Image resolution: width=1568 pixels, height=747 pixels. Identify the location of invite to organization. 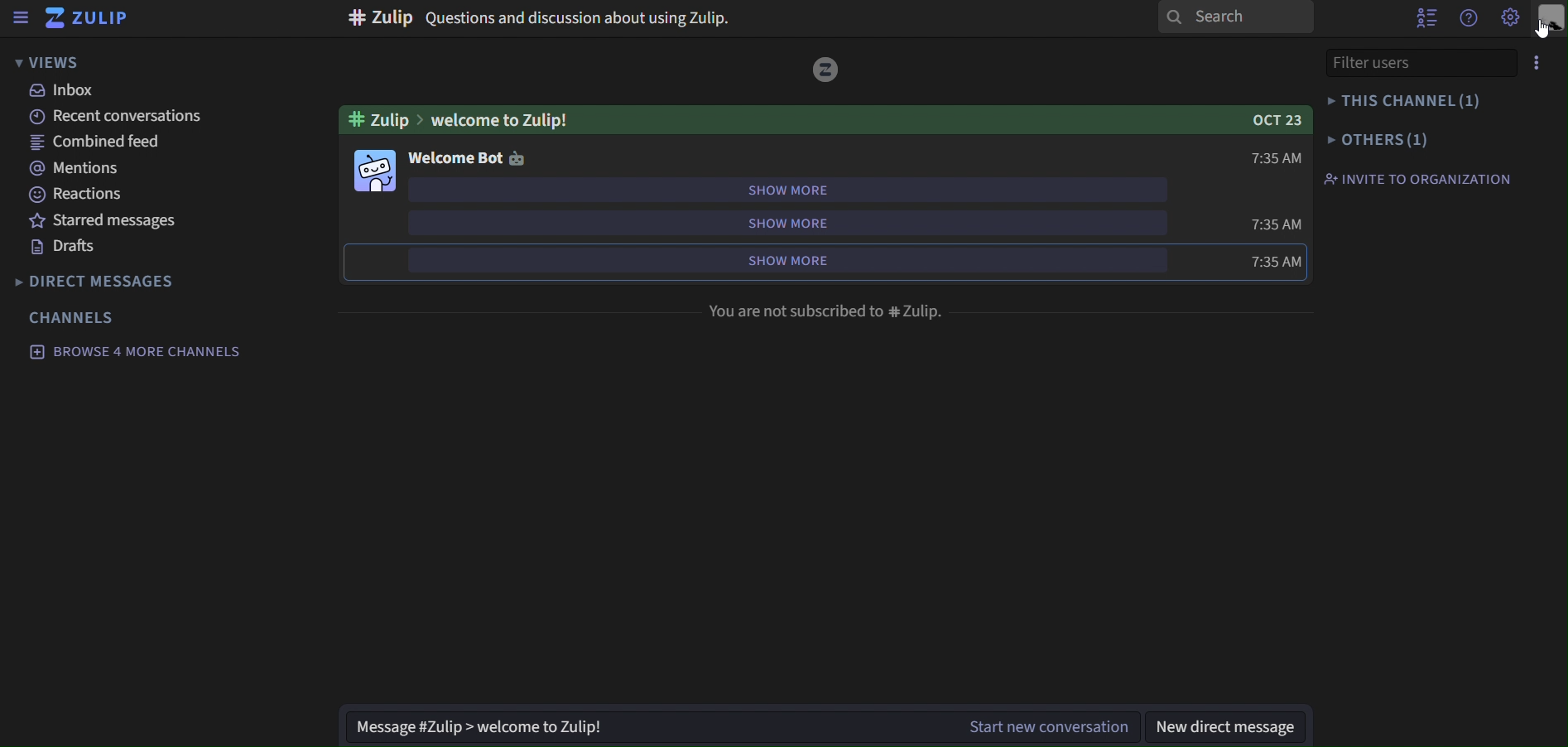
(1422, 178).